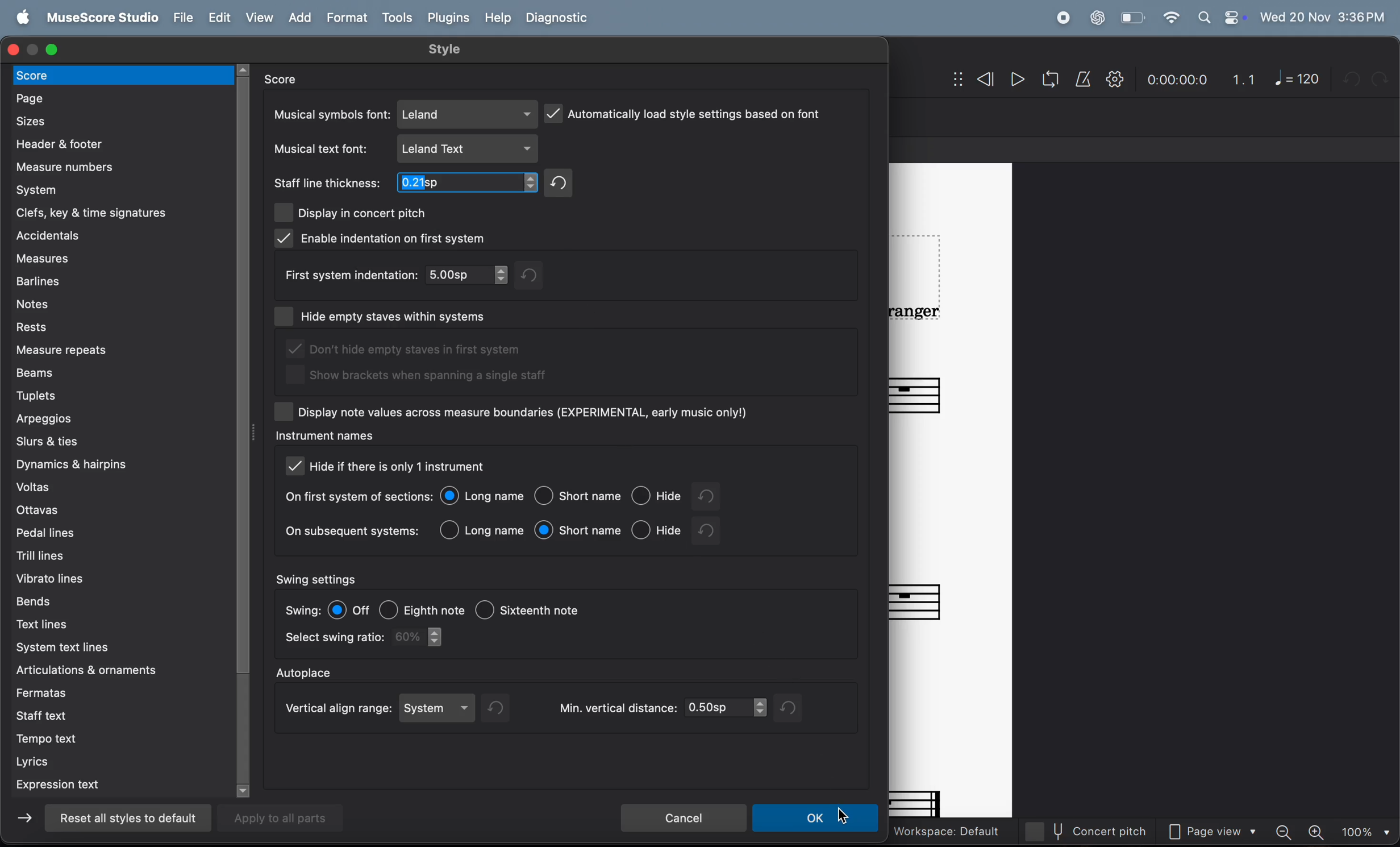 The width and height of the screenshot is (1400, 847). Describe the element at coordinates (1244, 80) in the screenshot. I see `1.1` at that location.